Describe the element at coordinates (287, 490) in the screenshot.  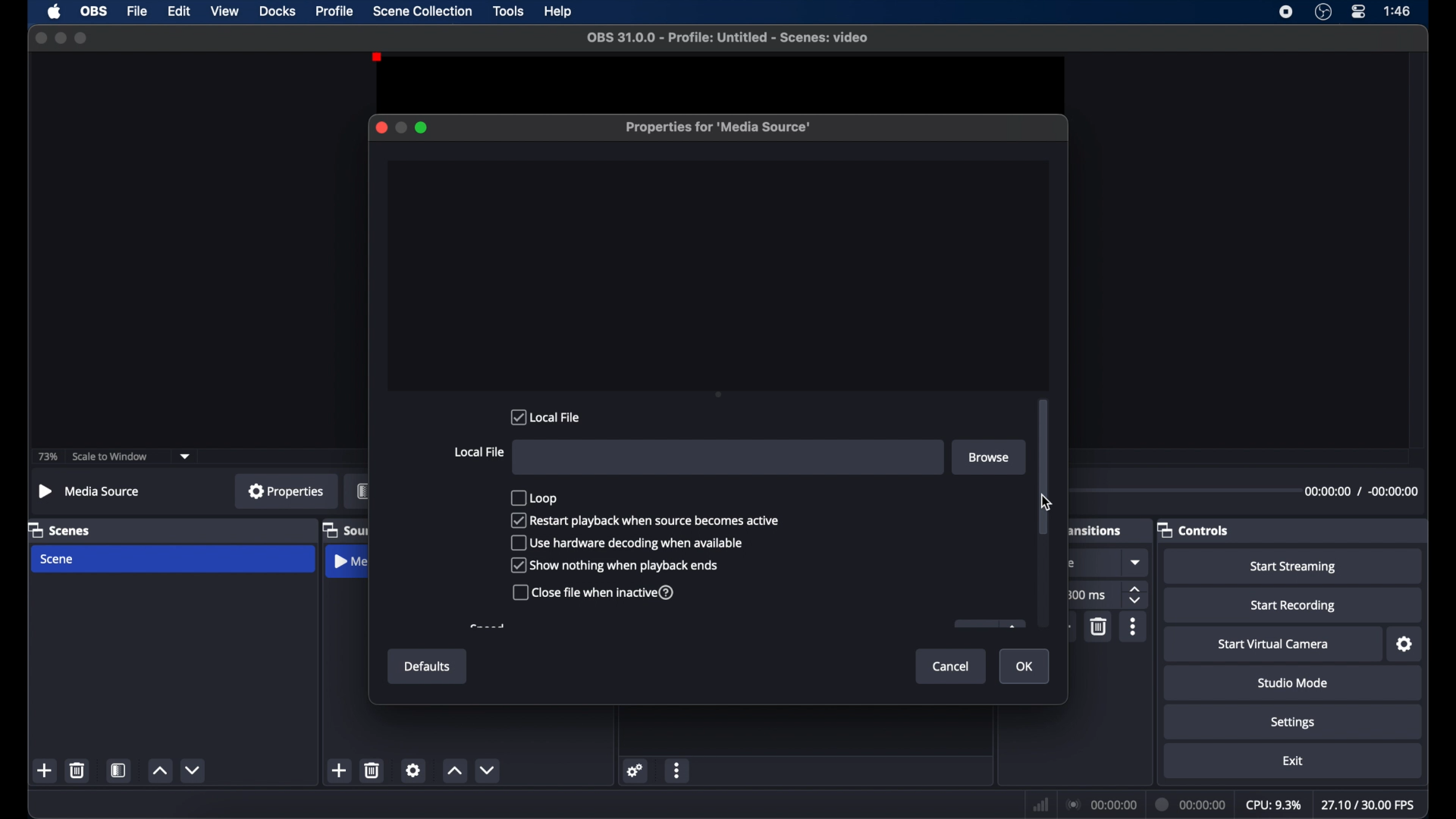
I see `properties` at that location.